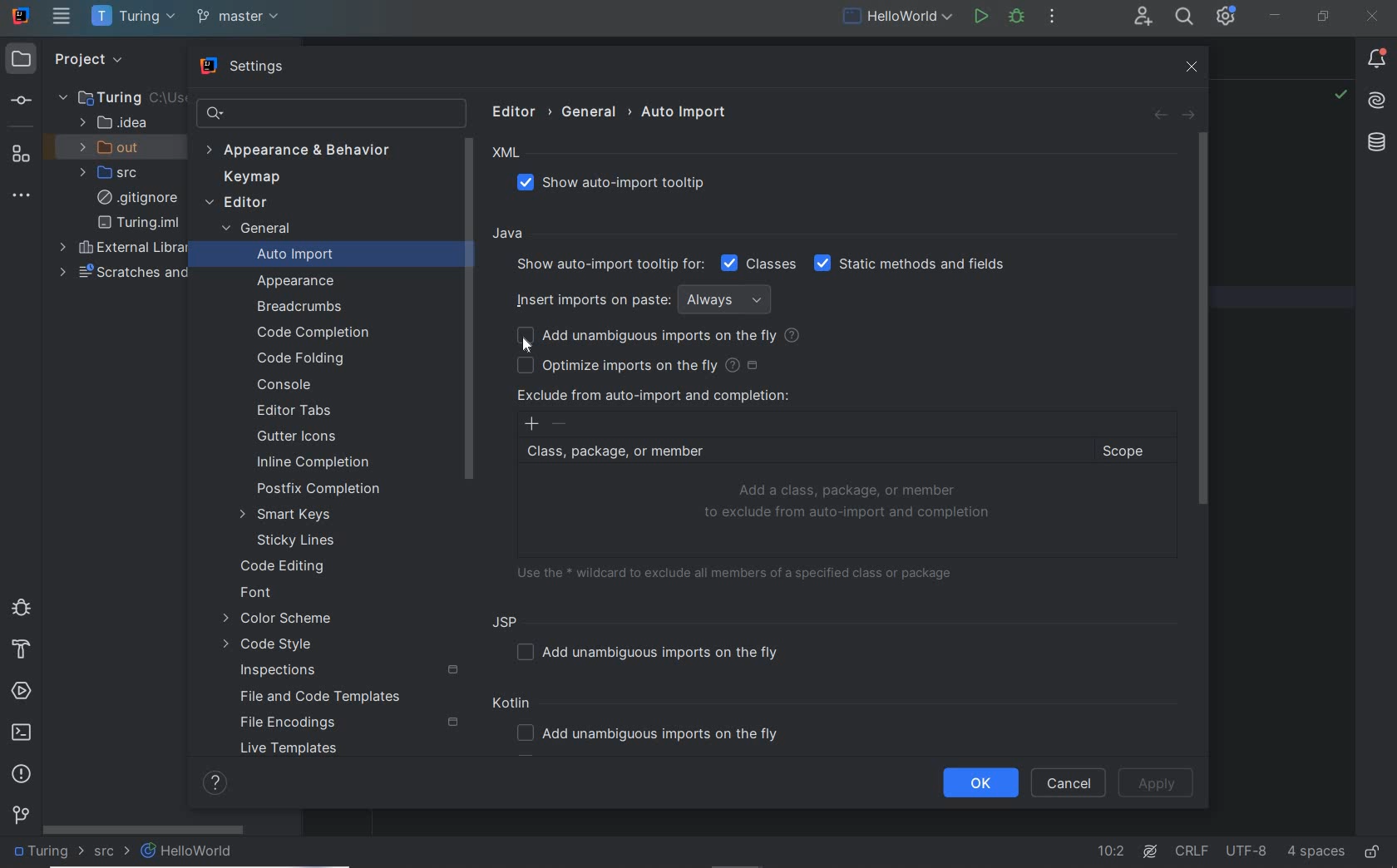 Image resolution: width=1397 pixels, height=868 pixels. What do you see at coordinates (979, 15) in the screenshot?
I see `RUN` at bounding box center [979, 15].